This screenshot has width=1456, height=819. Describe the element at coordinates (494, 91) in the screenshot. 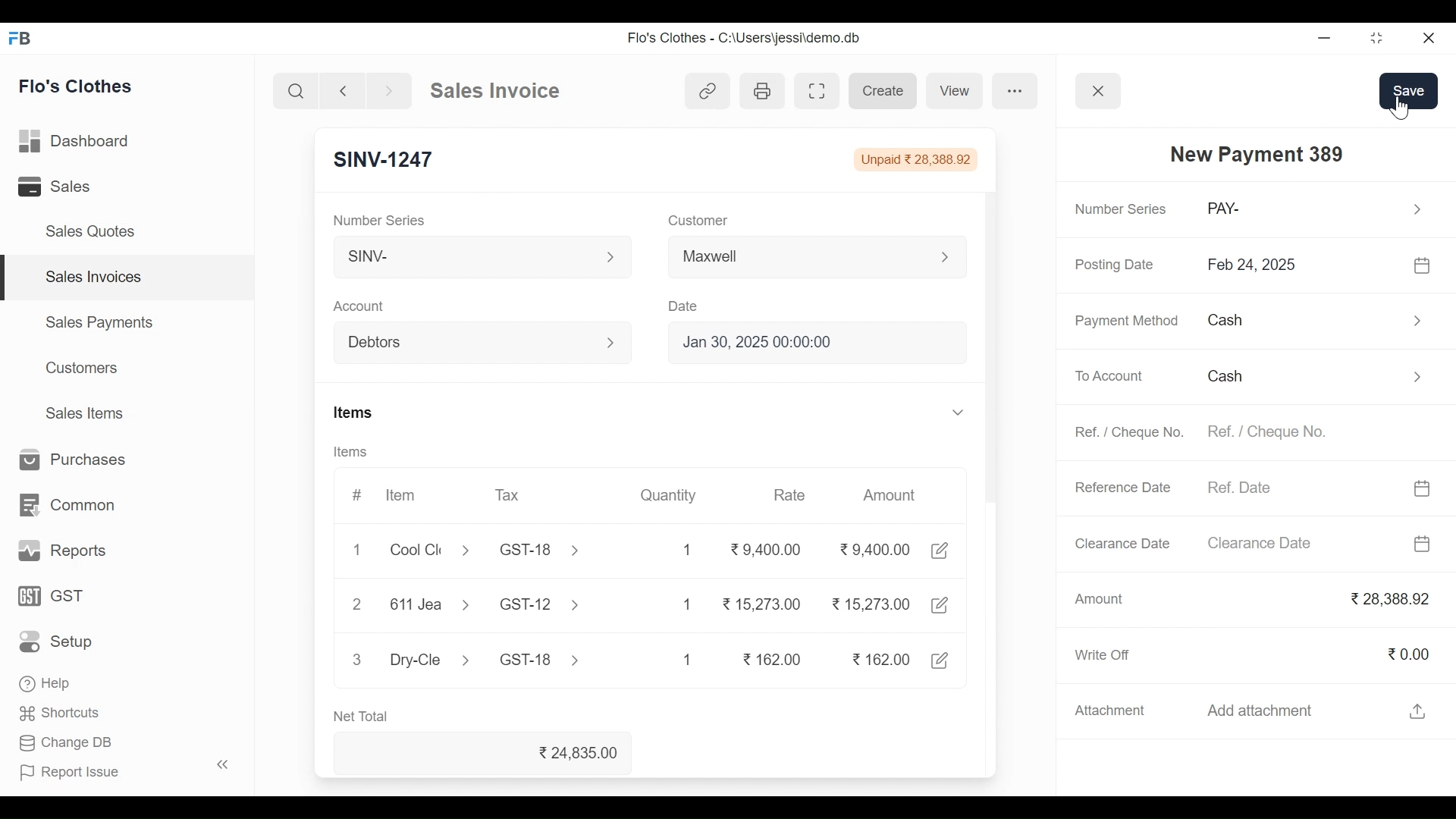

I see `Sales Invoice` at that location.